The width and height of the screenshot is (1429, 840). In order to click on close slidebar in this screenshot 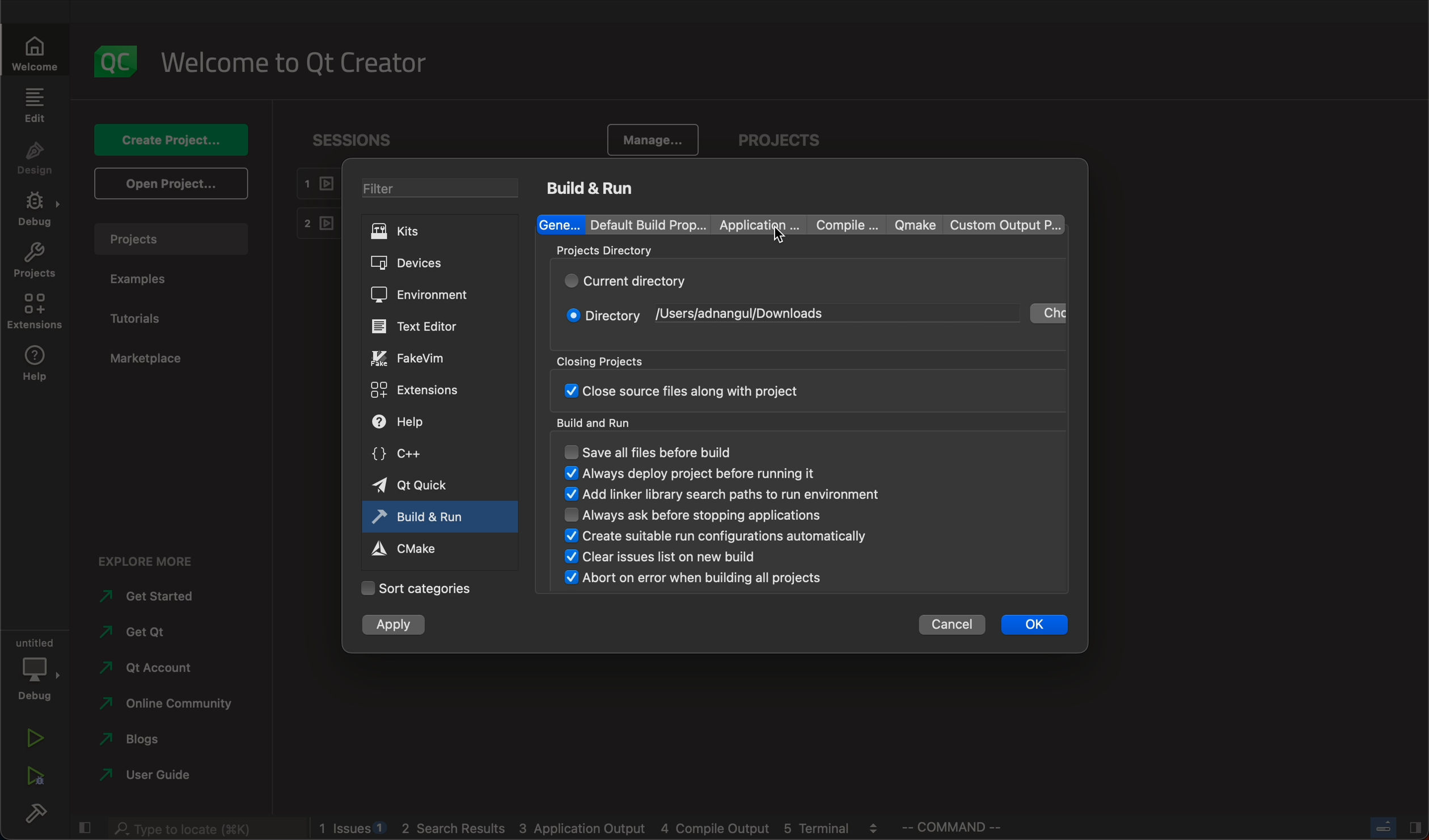, I will do `click(84, 827)`.